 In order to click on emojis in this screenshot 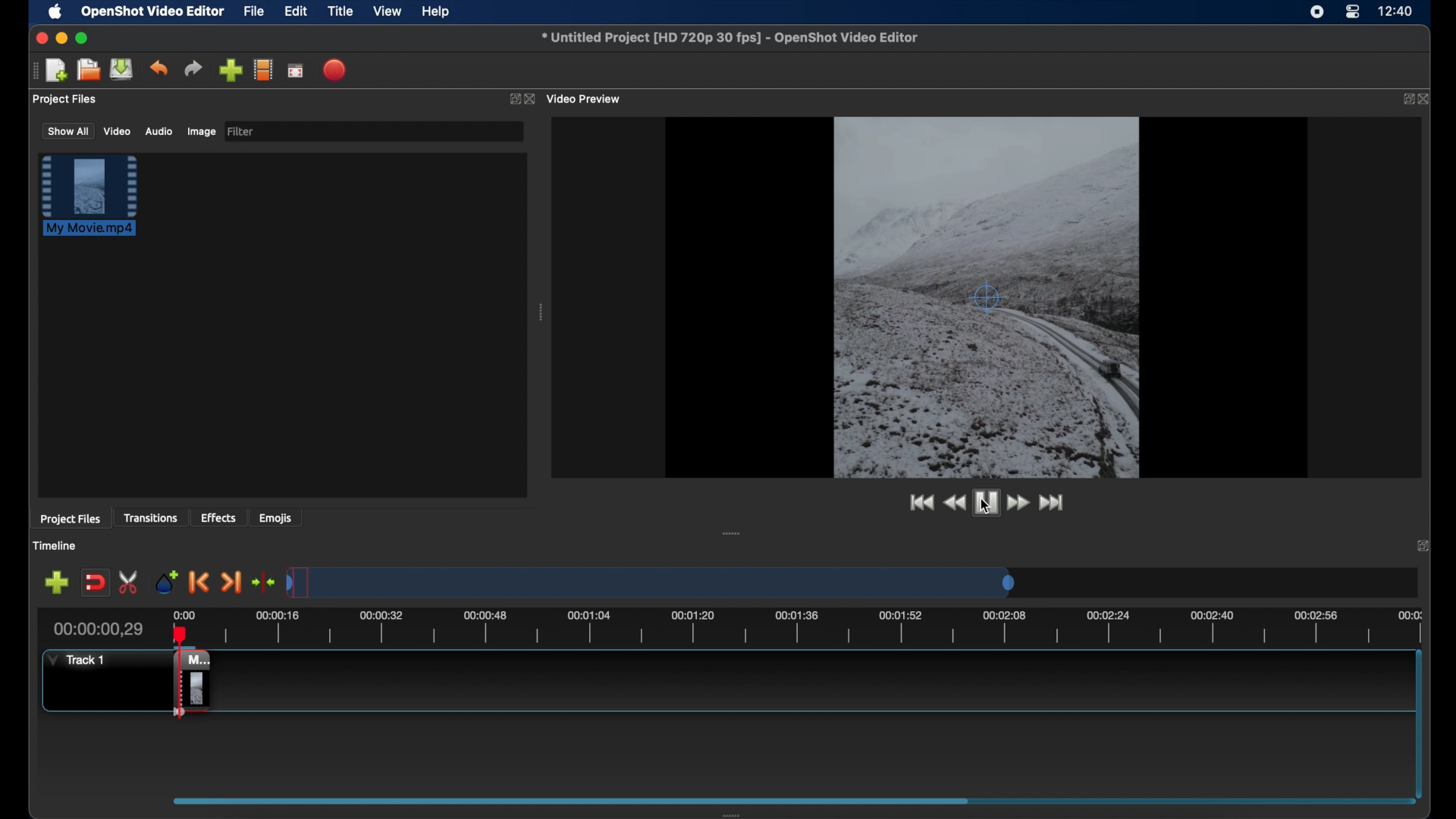, I will do `click(277, 519)`.